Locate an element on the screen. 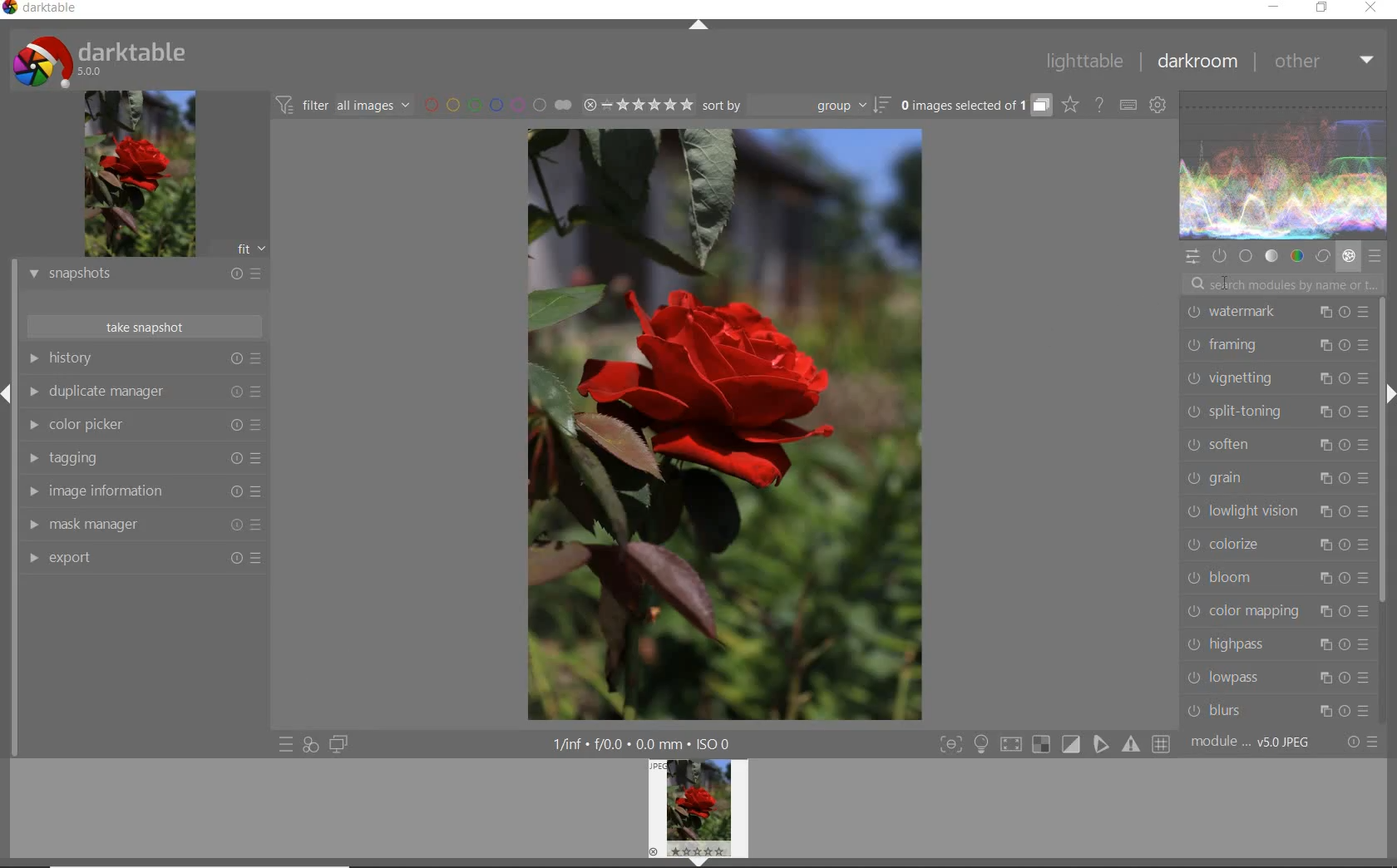  darkroom is located at coordinates (1197, 64).